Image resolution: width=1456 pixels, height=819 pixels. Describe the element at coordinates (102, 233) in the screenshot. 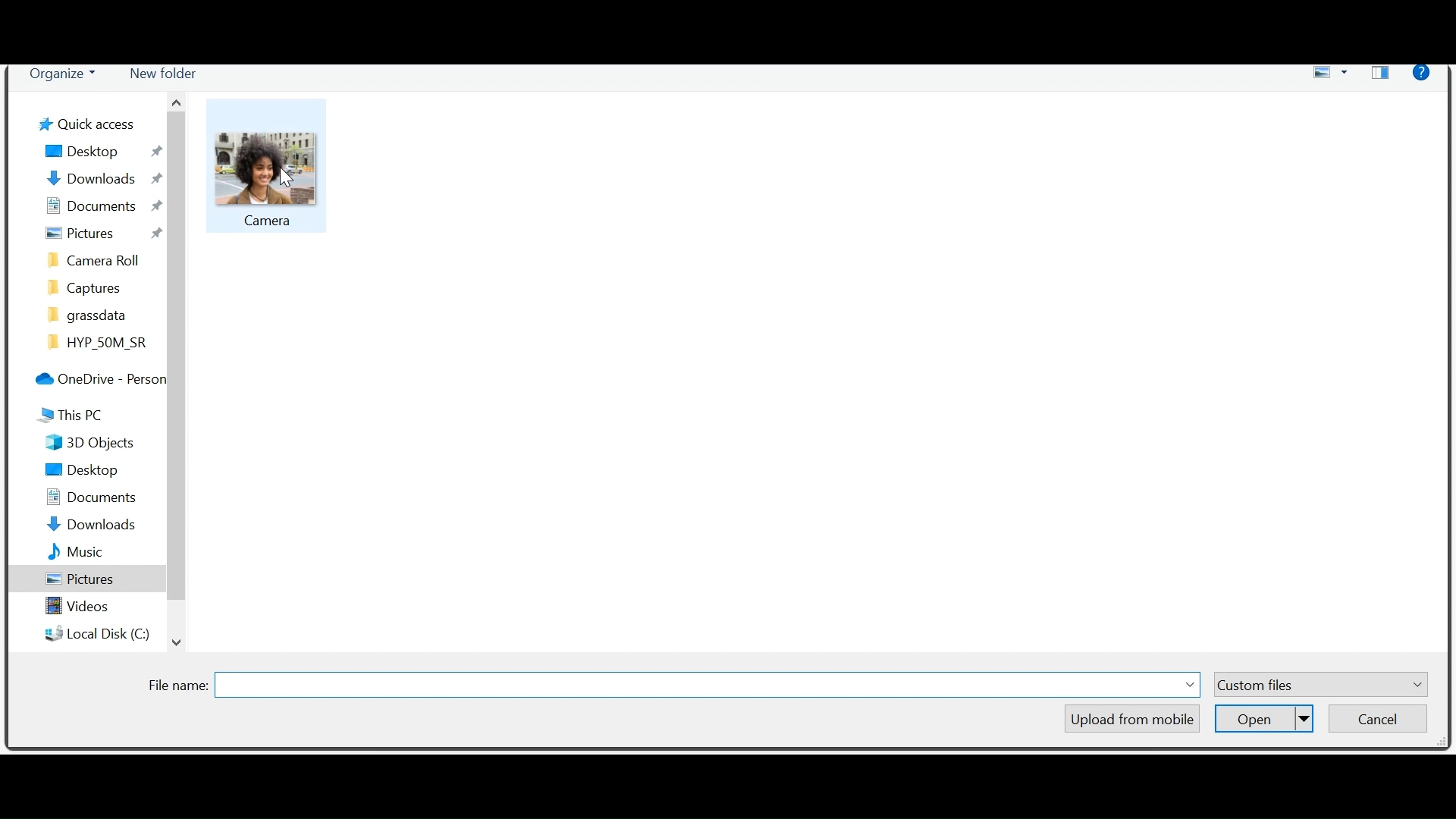

I see `Pictures` at that location.